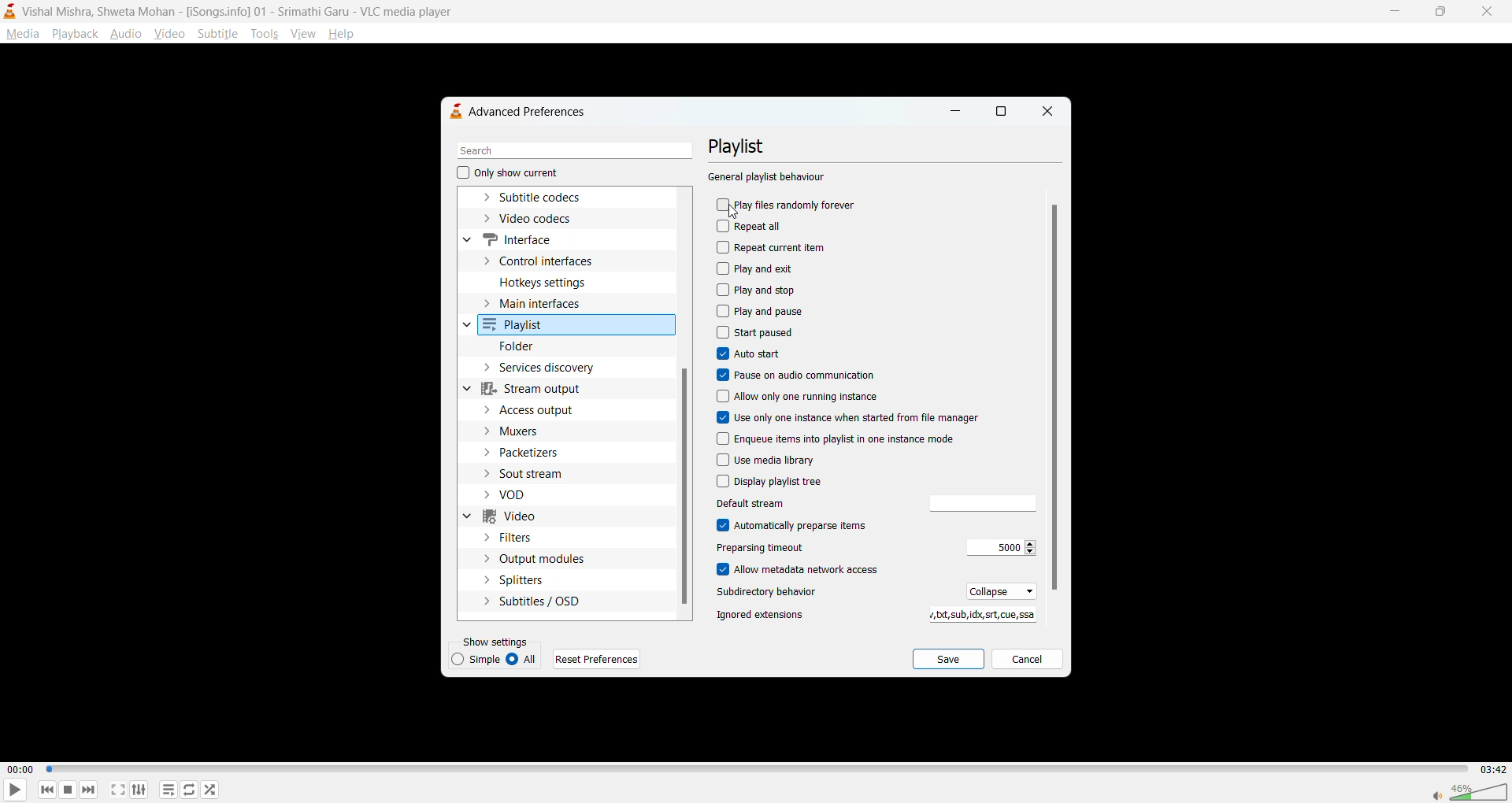 This screenshot has height=803, width=1512. Describe the element at coordinates (534, 220) in the screenshot. I see `video codecs` at that location.